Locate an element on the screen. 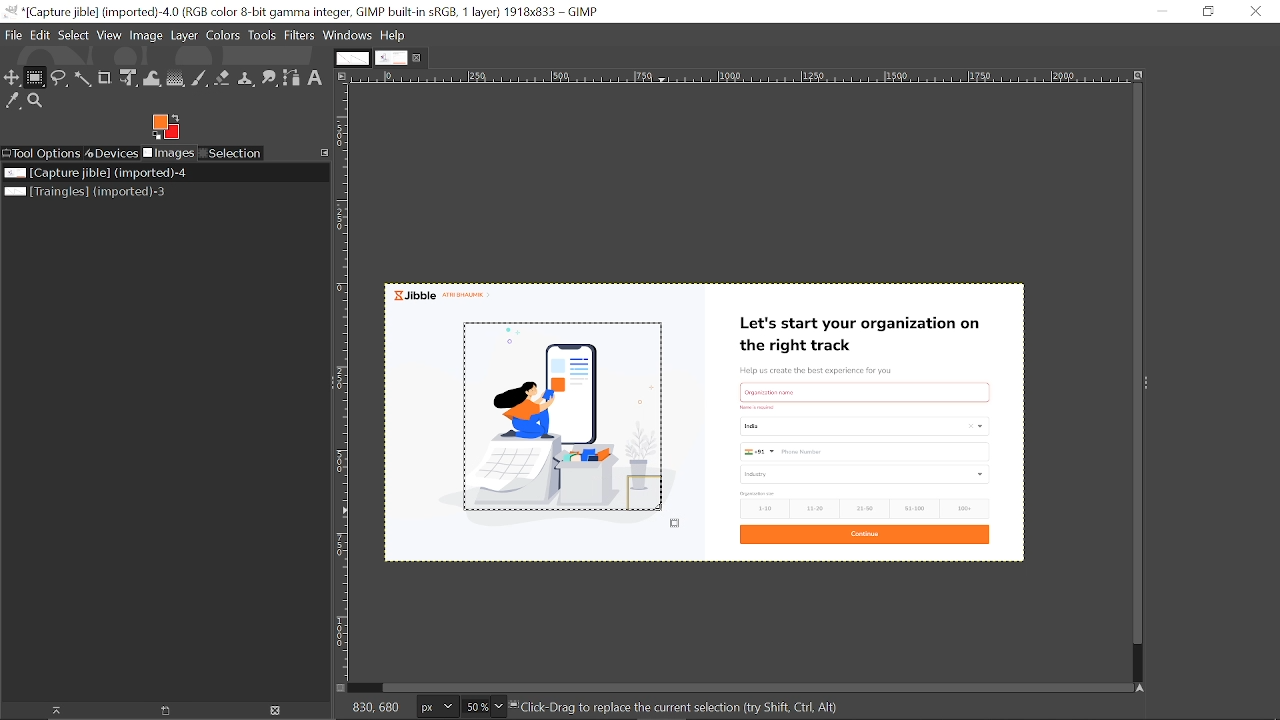  first tab is located at coordinates (351, 58).